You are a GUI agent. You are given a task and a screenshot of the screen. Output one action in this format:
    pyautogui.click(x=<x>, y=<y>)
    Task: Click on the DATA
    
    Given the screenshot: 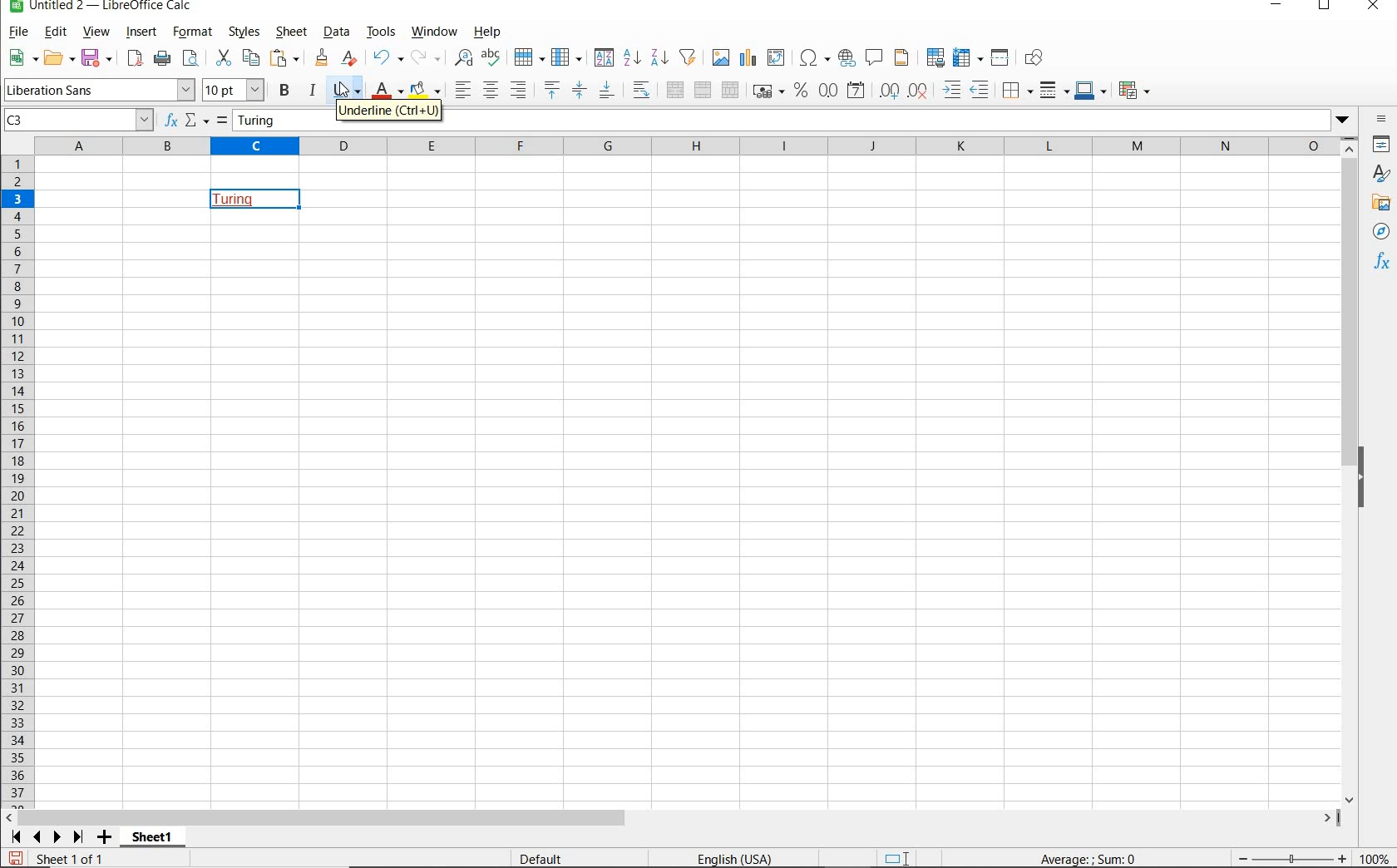 What is the action you would take?
    pyautogui.click(x=338, y=33)
    